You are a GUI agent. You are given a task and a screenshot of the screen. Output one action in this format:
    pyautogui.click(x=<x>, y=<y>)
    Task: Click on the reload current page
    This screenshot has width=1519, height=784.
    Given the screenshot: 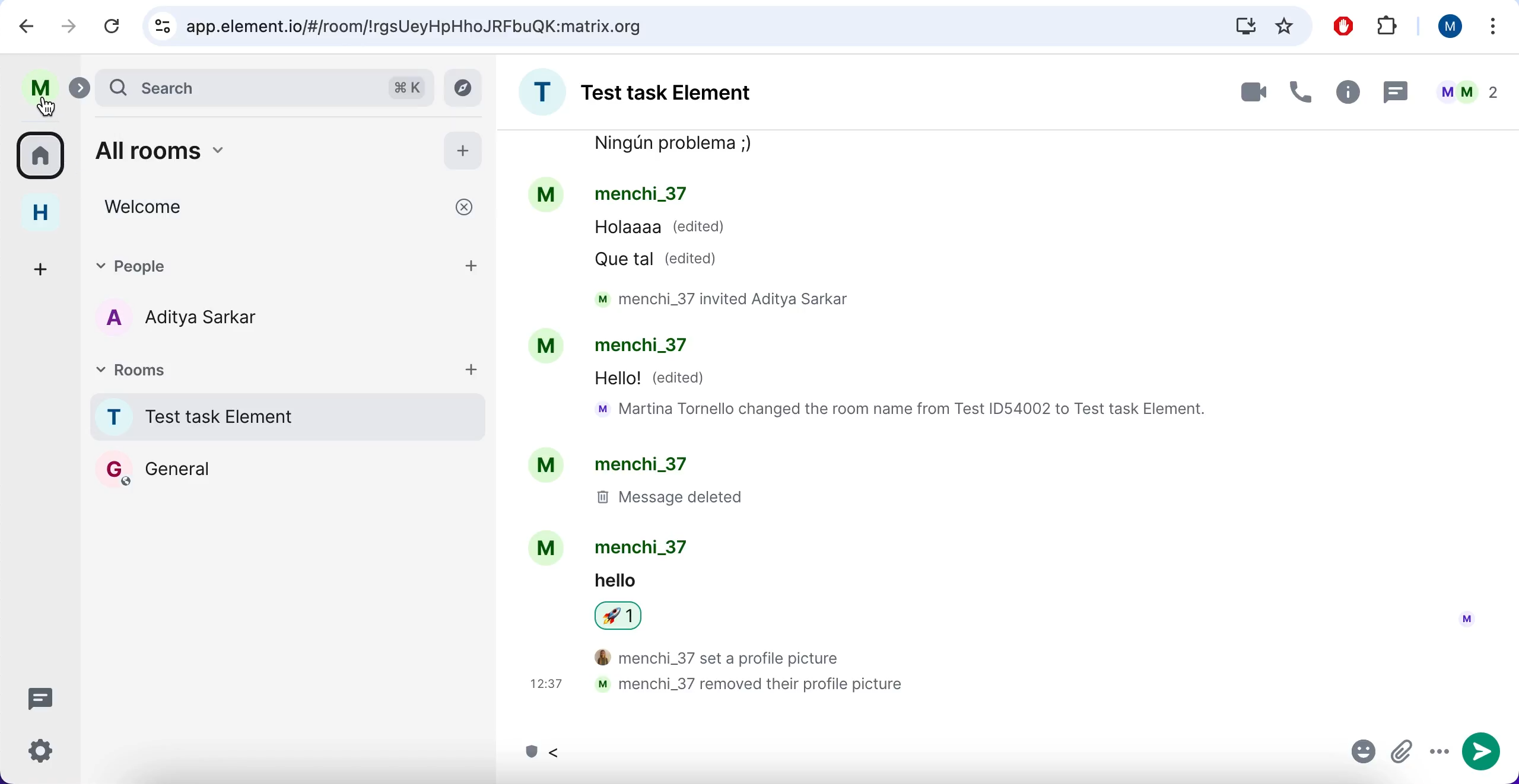 What is the action you would take?
    pyautogui.click(x=110, y=27)
    